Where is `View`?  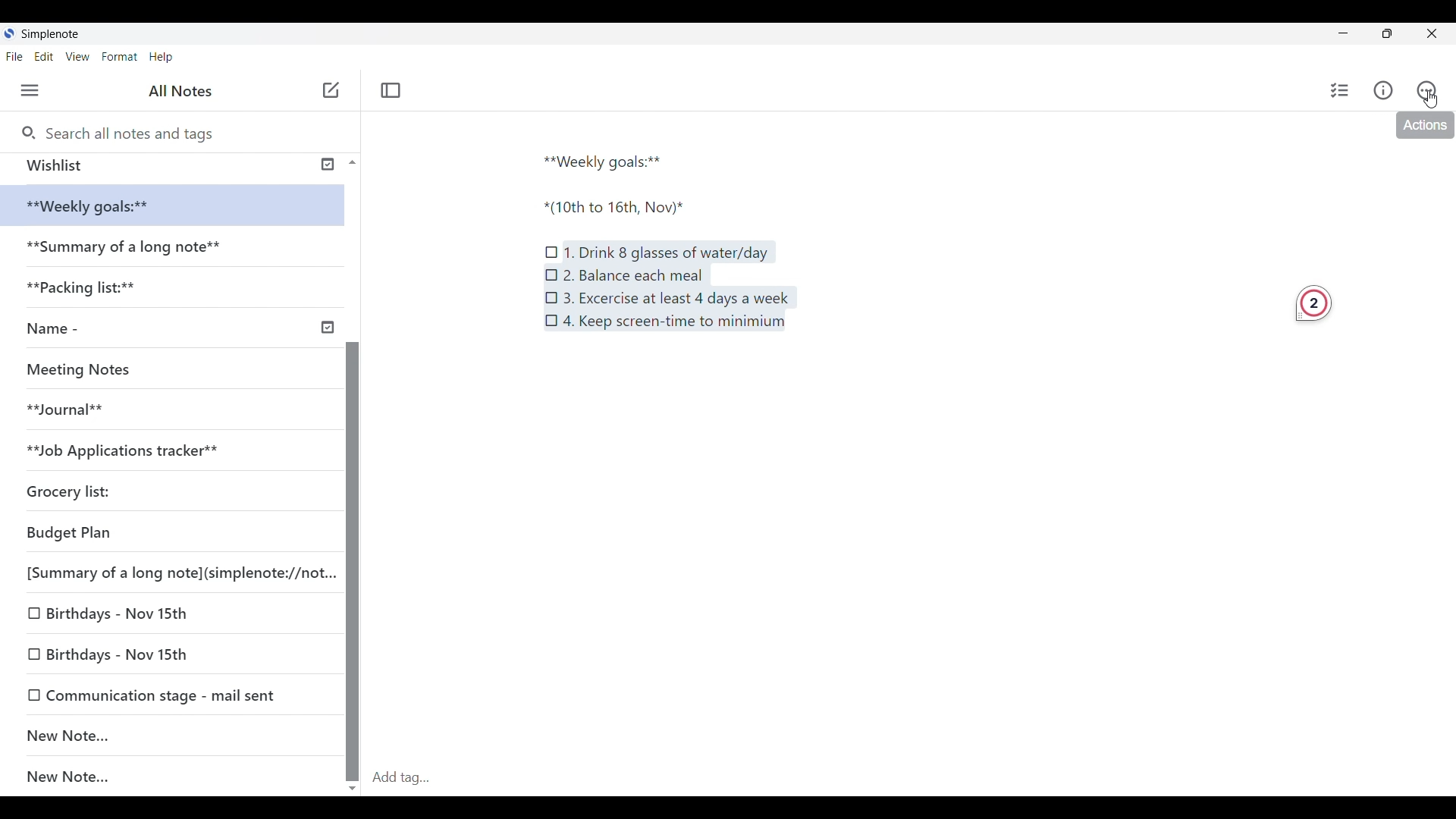
View is located at coordinates (80, 58).